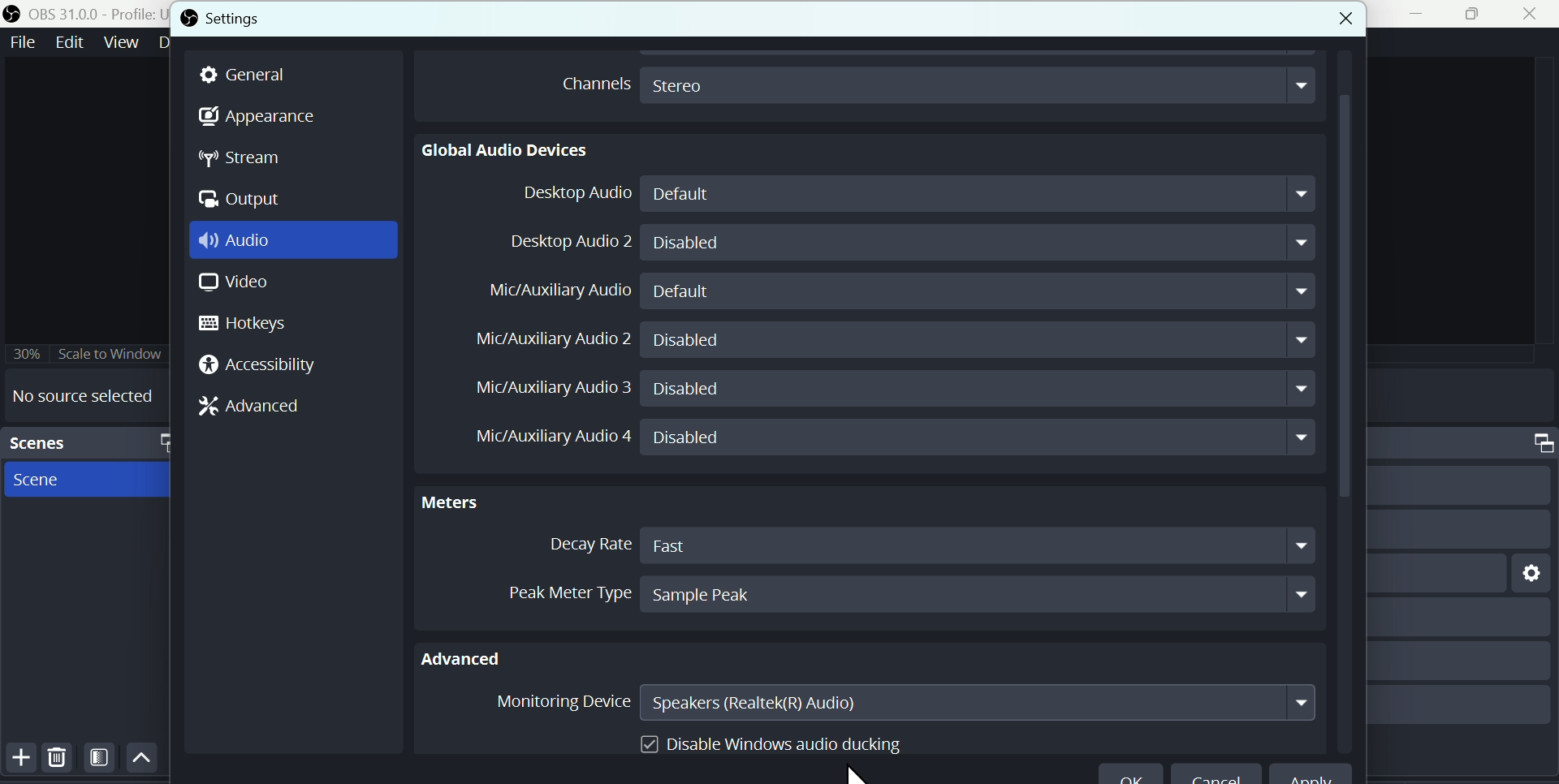  What do you see at coordinates (979, 390) in the screenshot?
I see `Disabled` at bounding box center [979, 390].